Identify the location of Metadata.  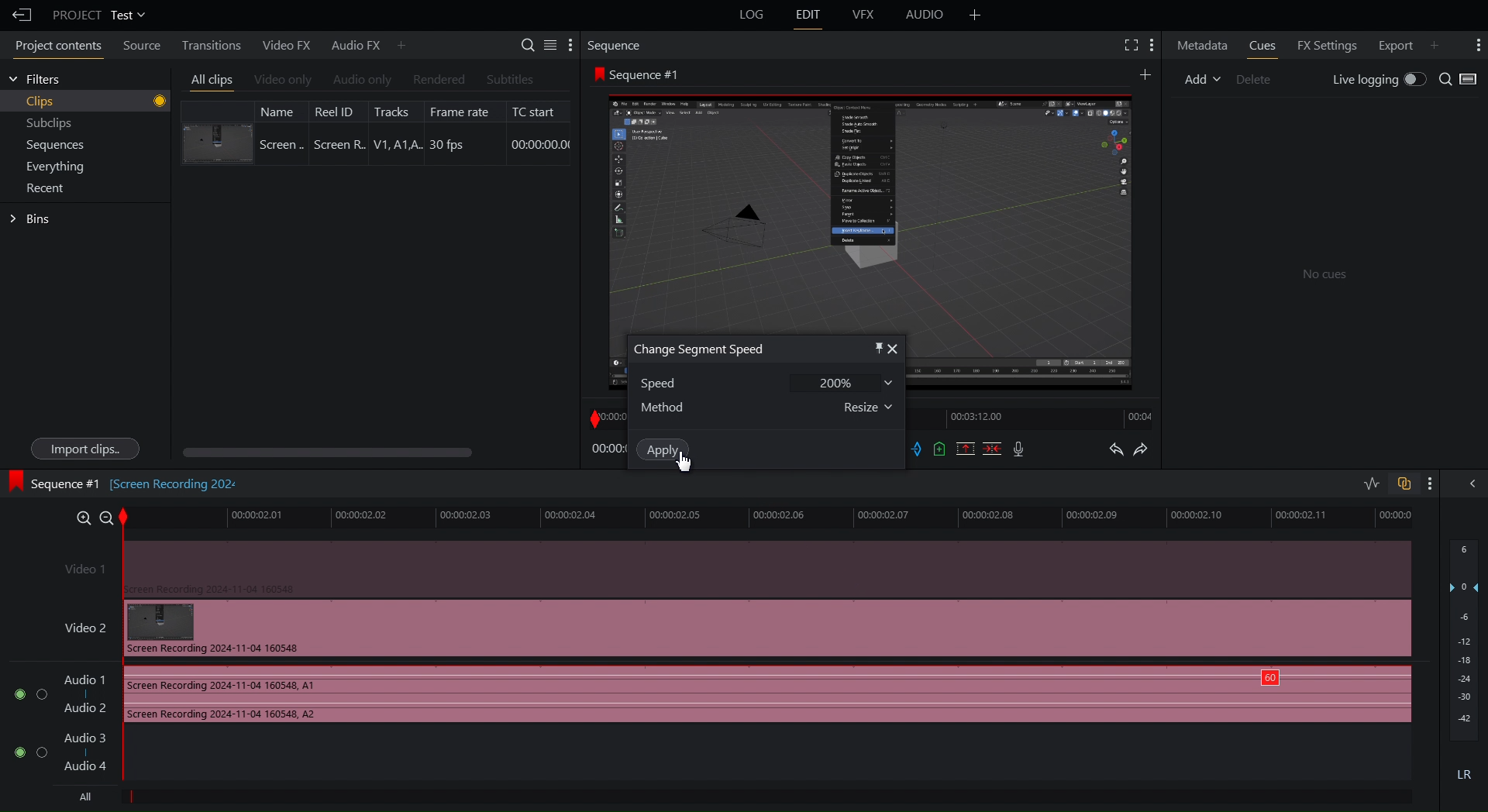
(1203, 44).